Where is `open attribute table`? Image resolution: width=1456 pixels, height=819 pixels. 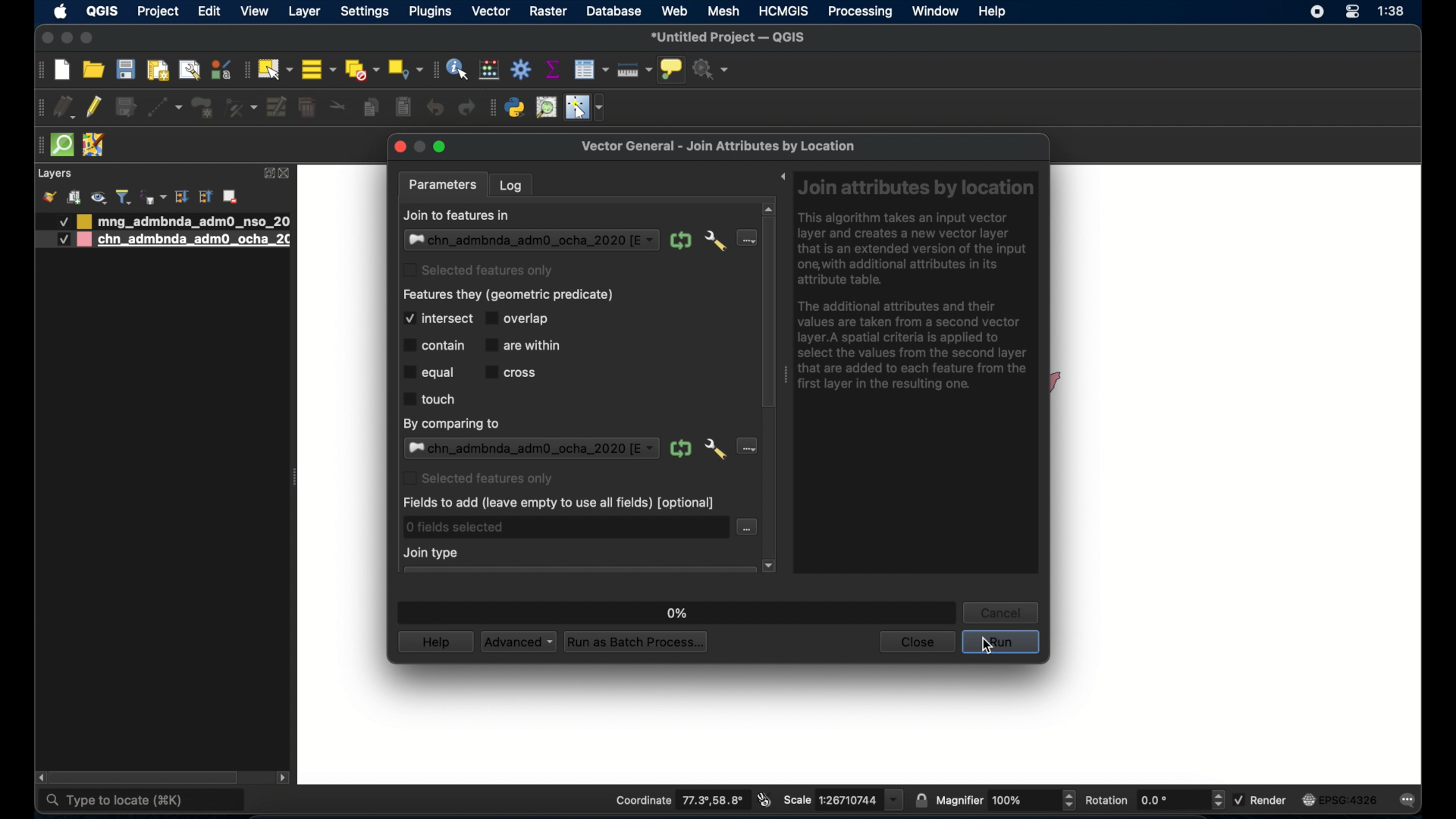
open attribute table is located at coordinates (591, 69).